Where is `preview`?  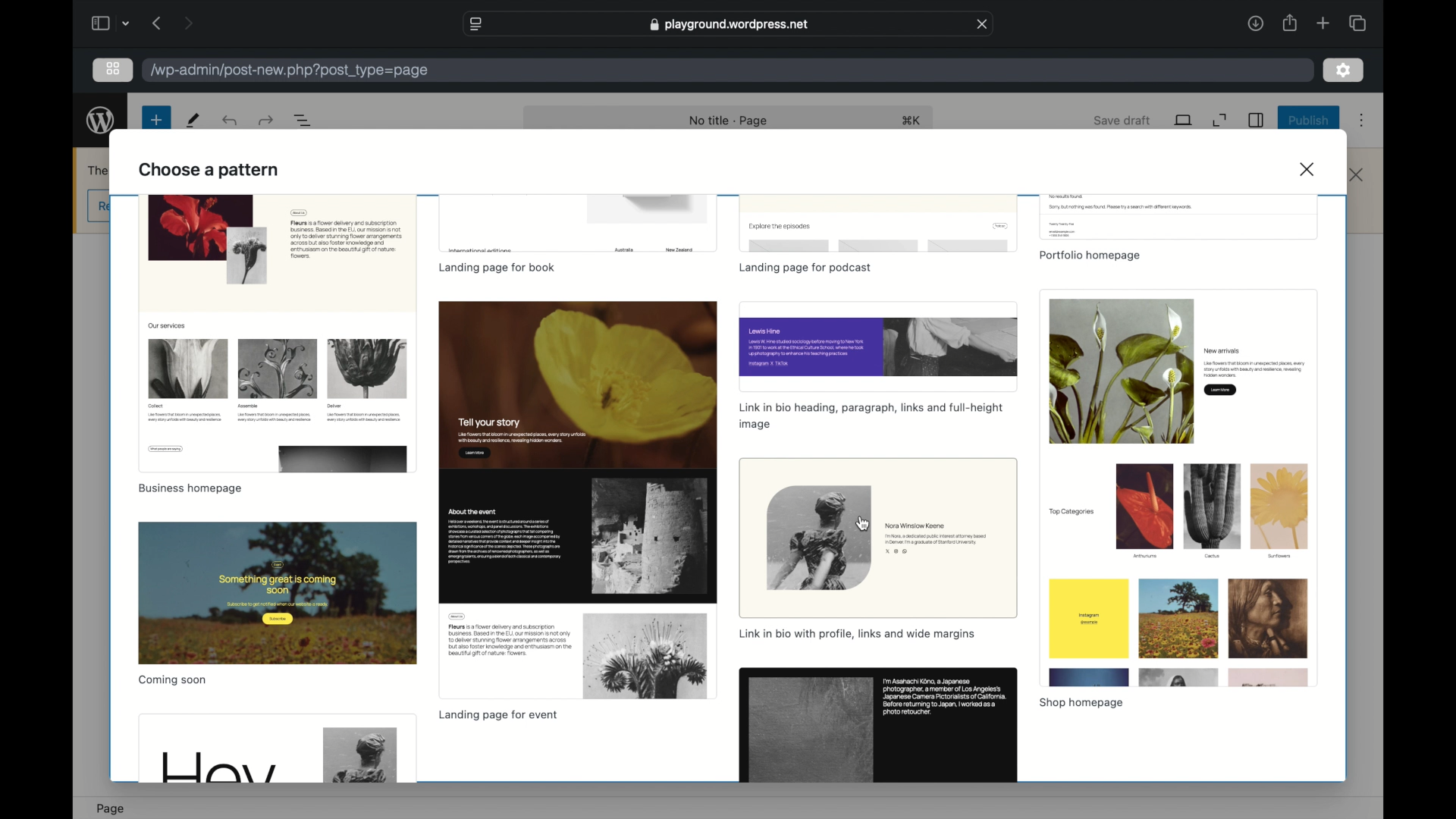
preview is located at coordinates (278, 748).